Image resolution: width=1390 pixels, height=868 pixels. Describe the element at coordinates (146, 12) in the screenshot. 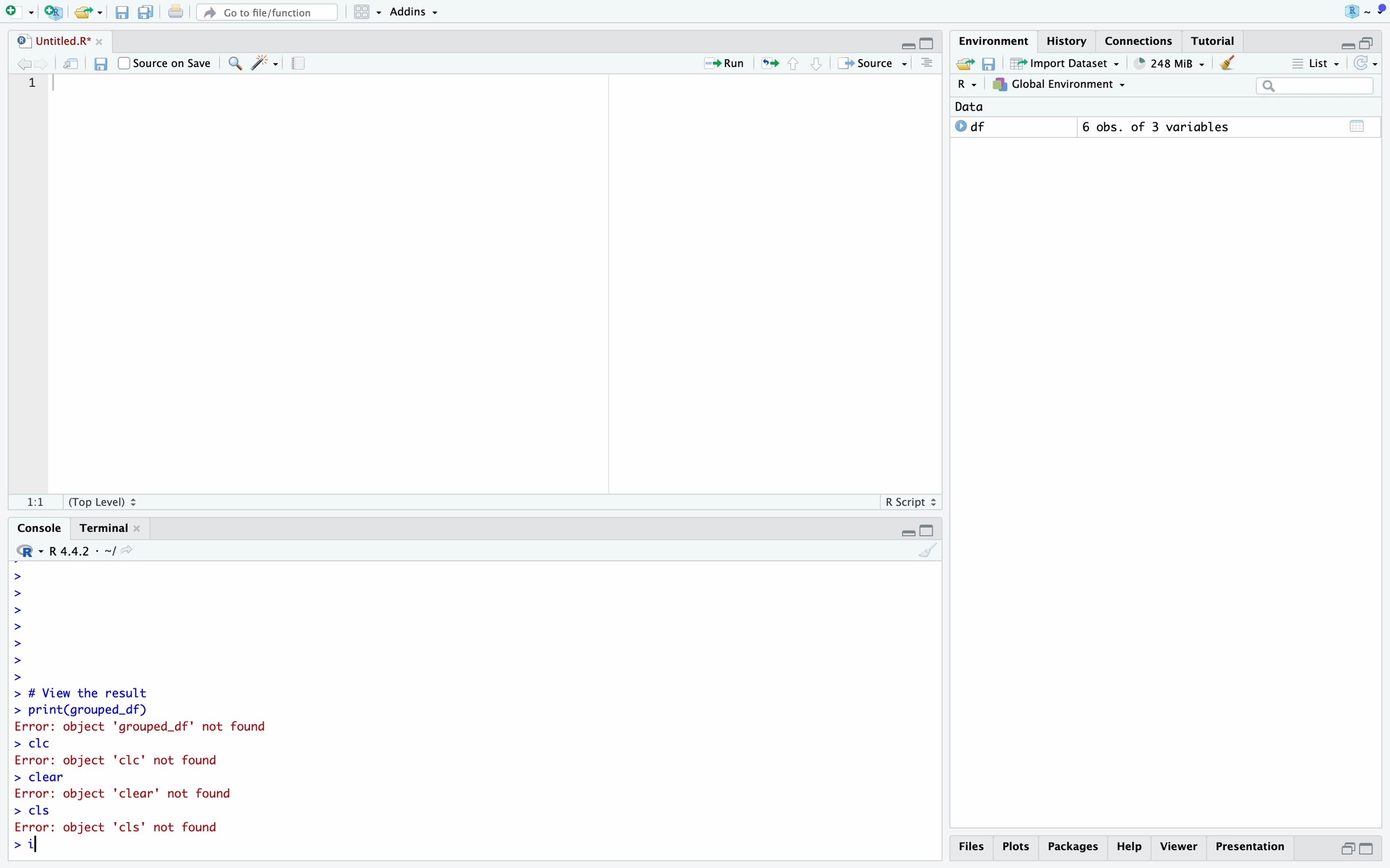

I see `Save all open files` at that location.